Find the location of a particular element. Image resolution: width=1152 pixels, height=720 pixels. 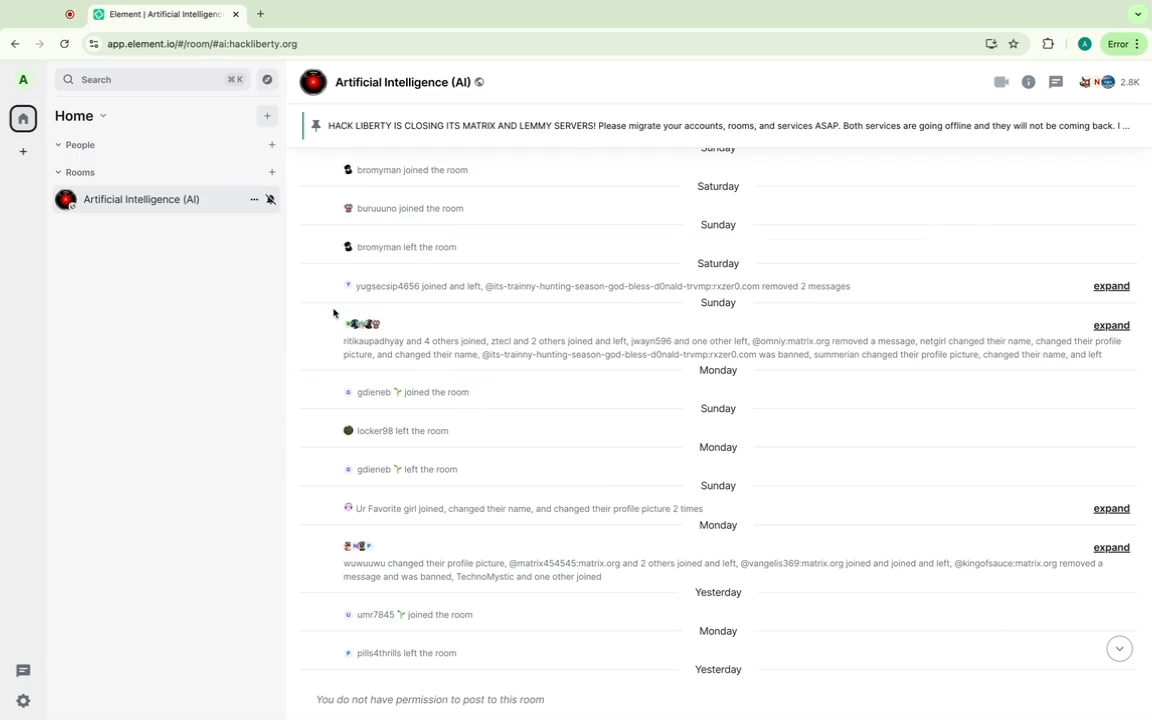

Day is located at coordinates (721, 261).